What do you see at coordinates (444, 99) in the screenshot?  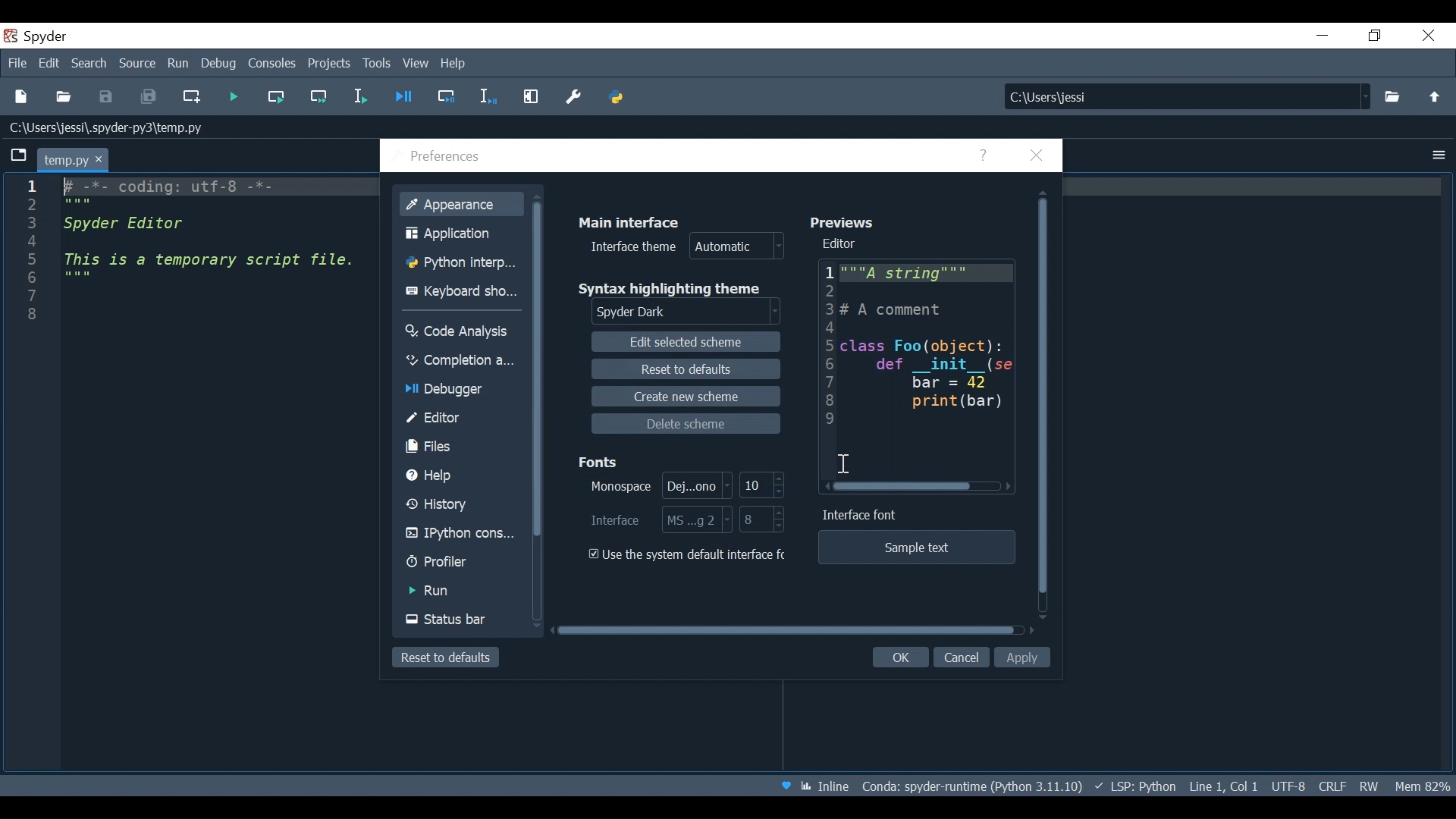 I see `Debug cell` at bounding box center [444, 99].